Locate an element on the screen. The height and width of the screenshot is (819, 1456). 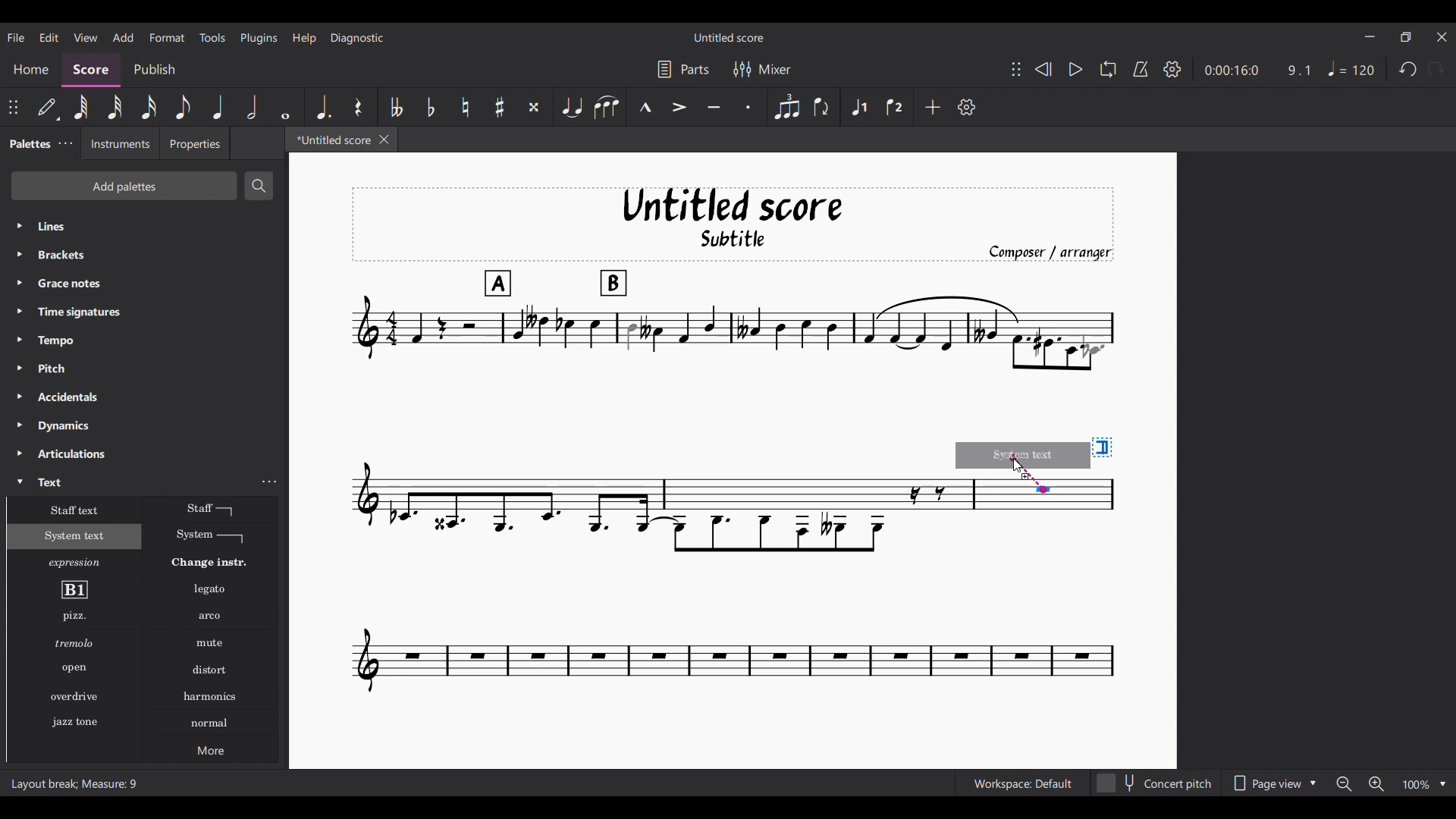
Tempo is located at coordinates (144, 340).